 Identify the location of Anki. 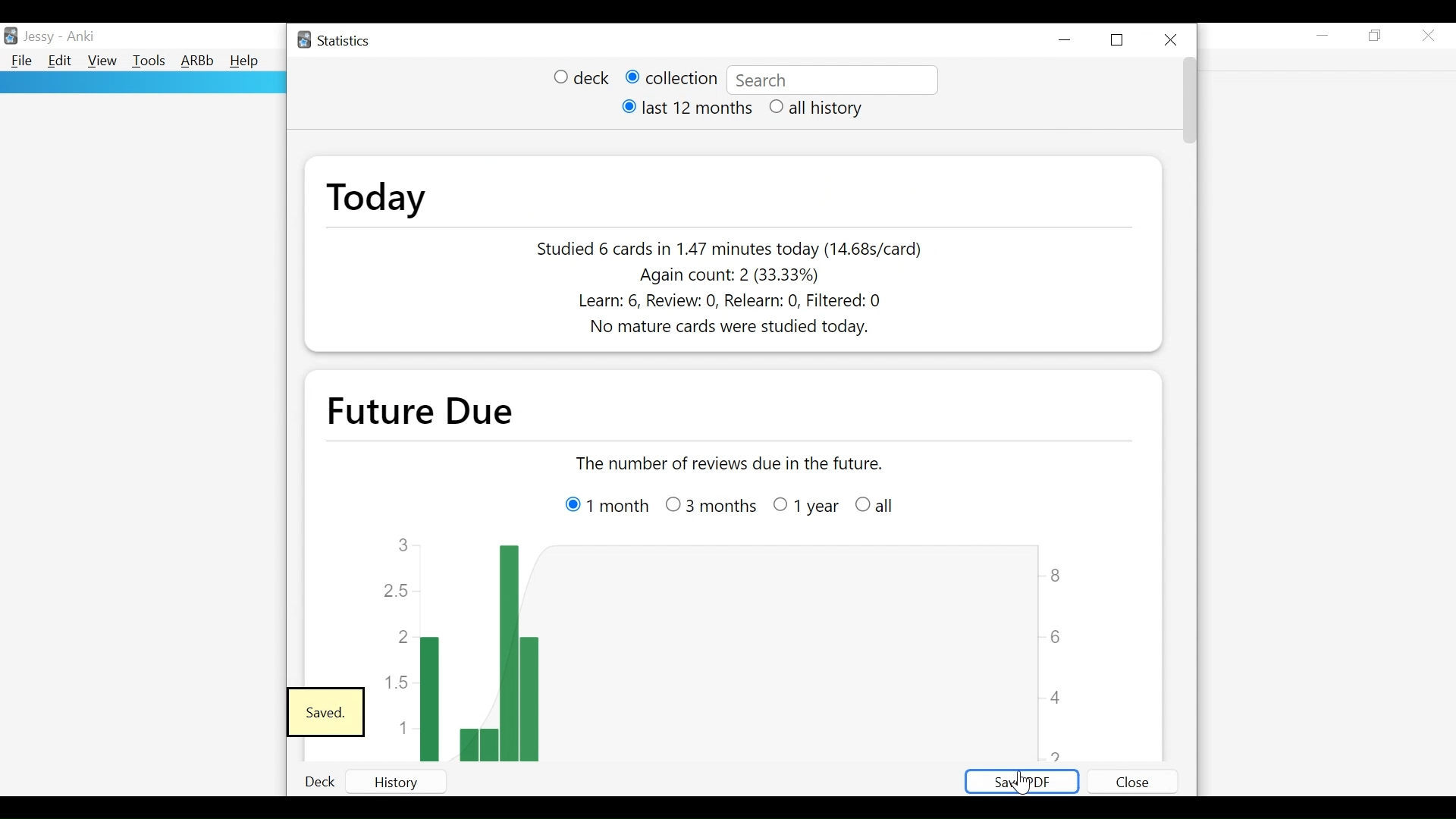
(80, 37).